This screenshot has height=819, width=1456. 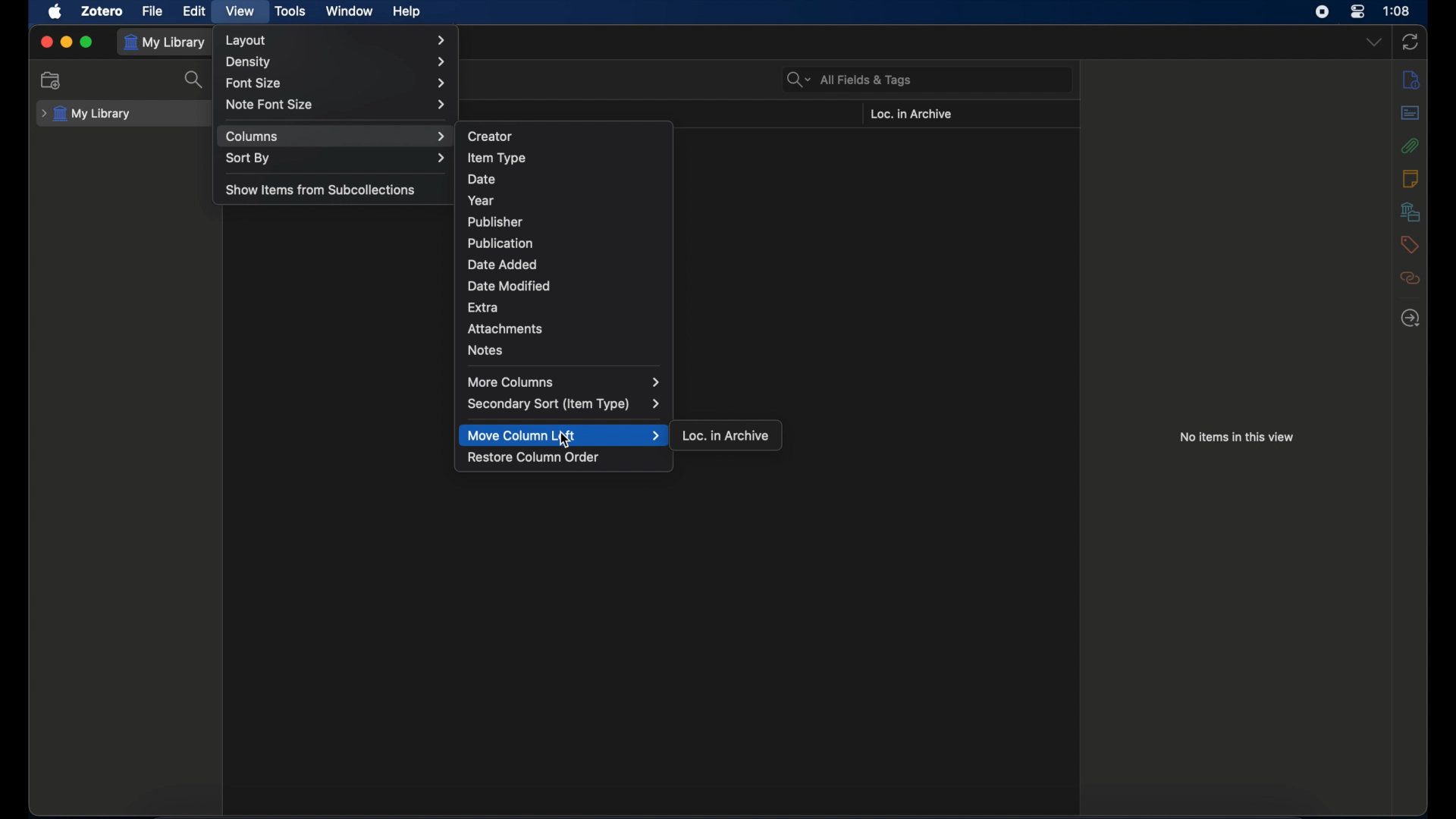 What do you see at coordinates (510, 286) in the screenshot?
I see `date modified` at bounding box center [510, 286].